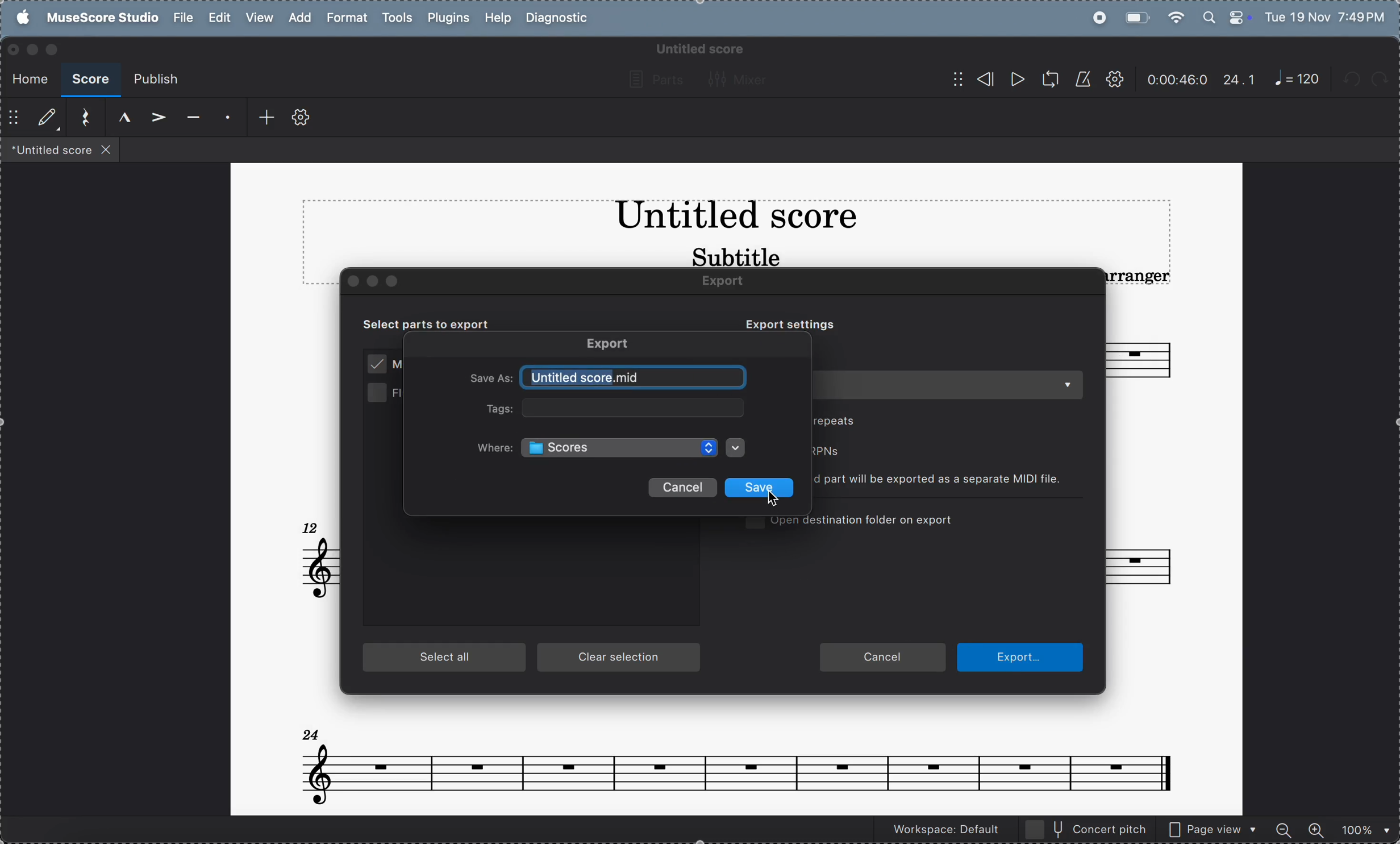 The height and width of the screenshot is (844, 1400). What do you see at coordinates (1226, 16) in the screenshot?
I see `apple widgets` at bounding box center [1226, 16].